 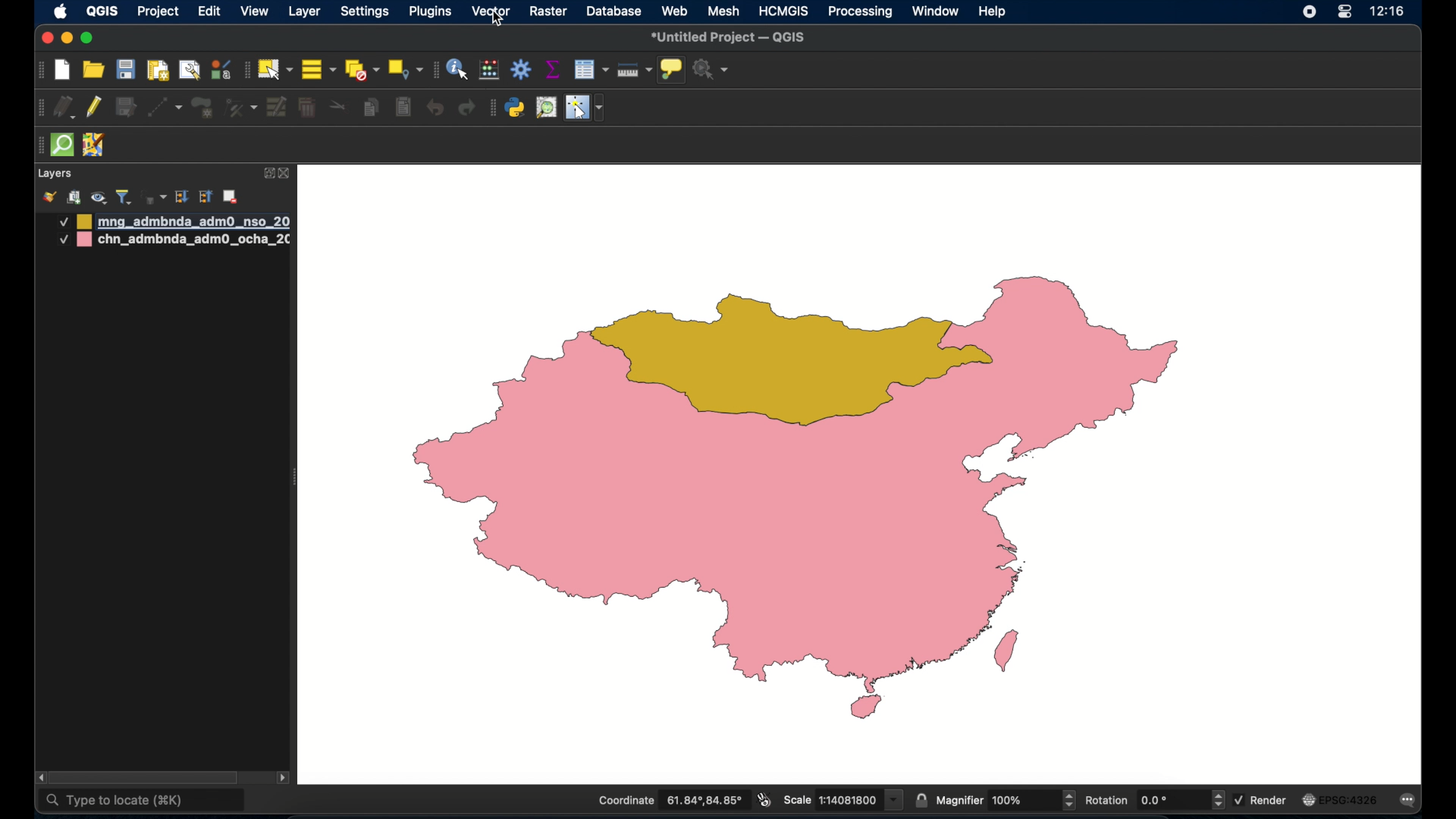 What do you see at coordinates (921, 799) in the screenshot?
I see `lock scale` at bounding box center [921, 799].